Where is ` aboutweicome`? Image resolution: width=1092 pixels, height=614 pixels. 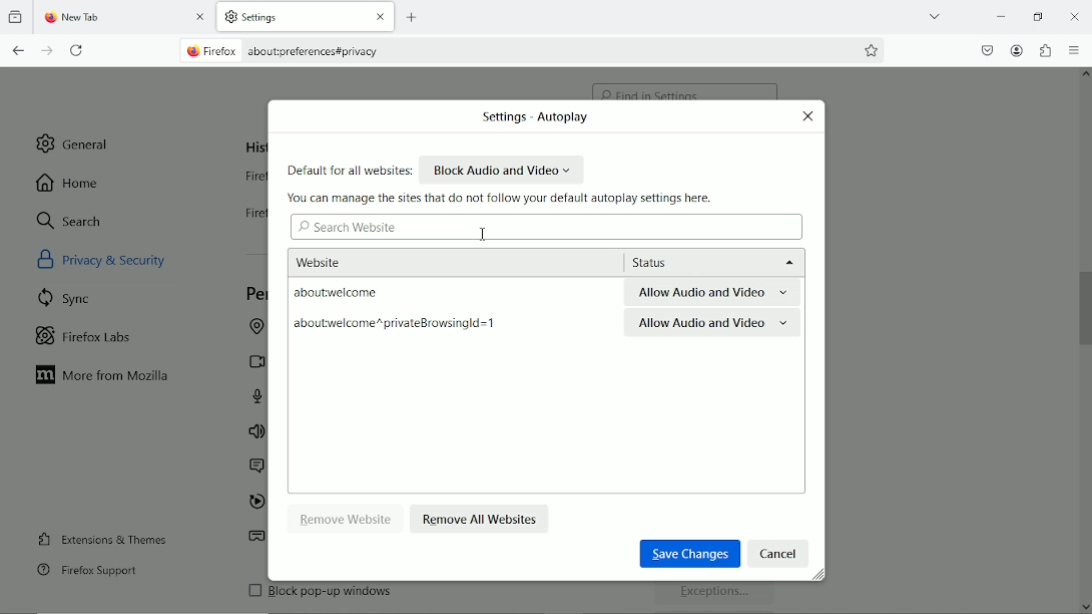  aboutweicome is located at coordinates (371, 293).